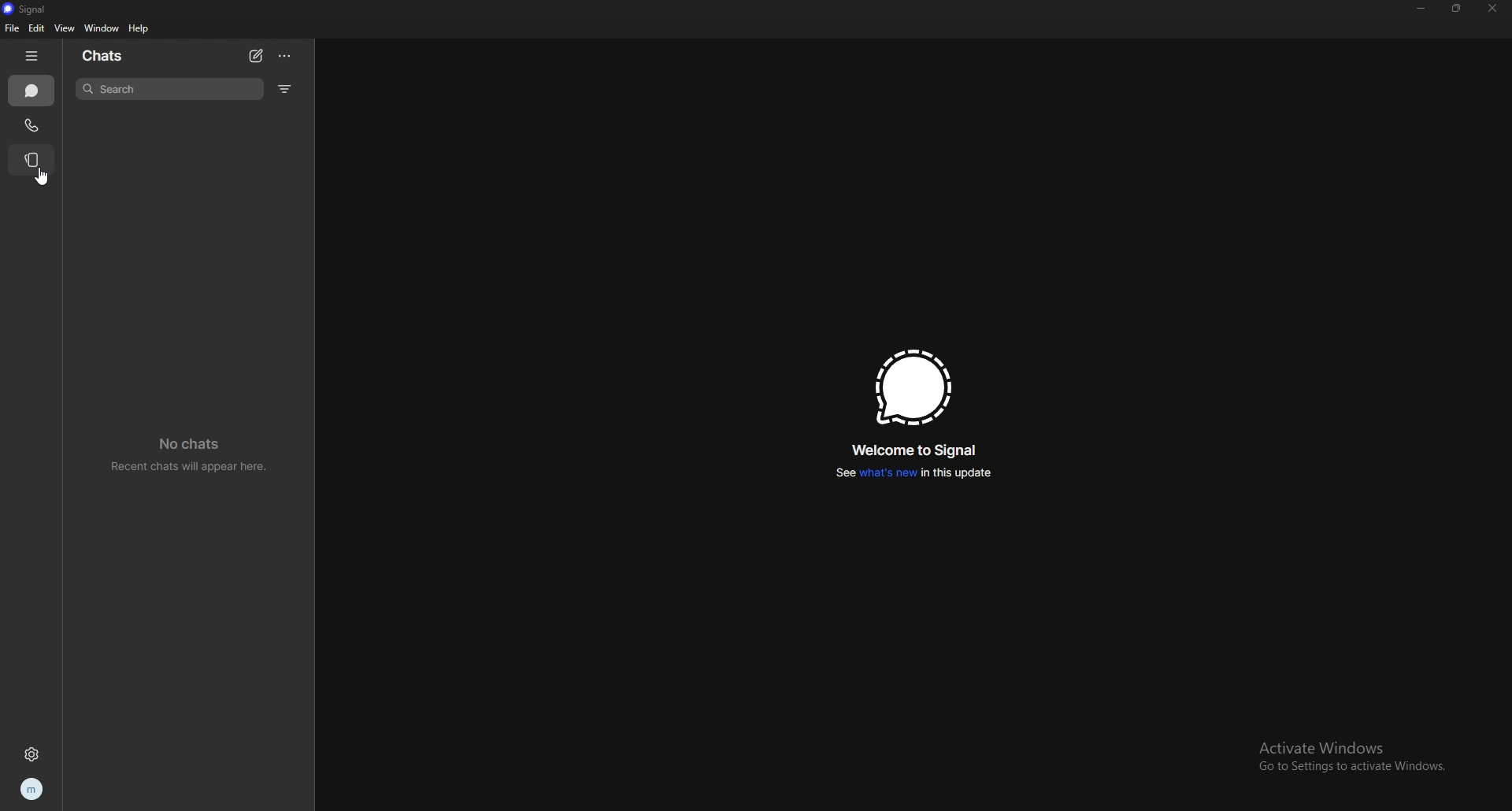  Describe the element at coordinates (102, 28) in the screenshot. I see `window` at that location.